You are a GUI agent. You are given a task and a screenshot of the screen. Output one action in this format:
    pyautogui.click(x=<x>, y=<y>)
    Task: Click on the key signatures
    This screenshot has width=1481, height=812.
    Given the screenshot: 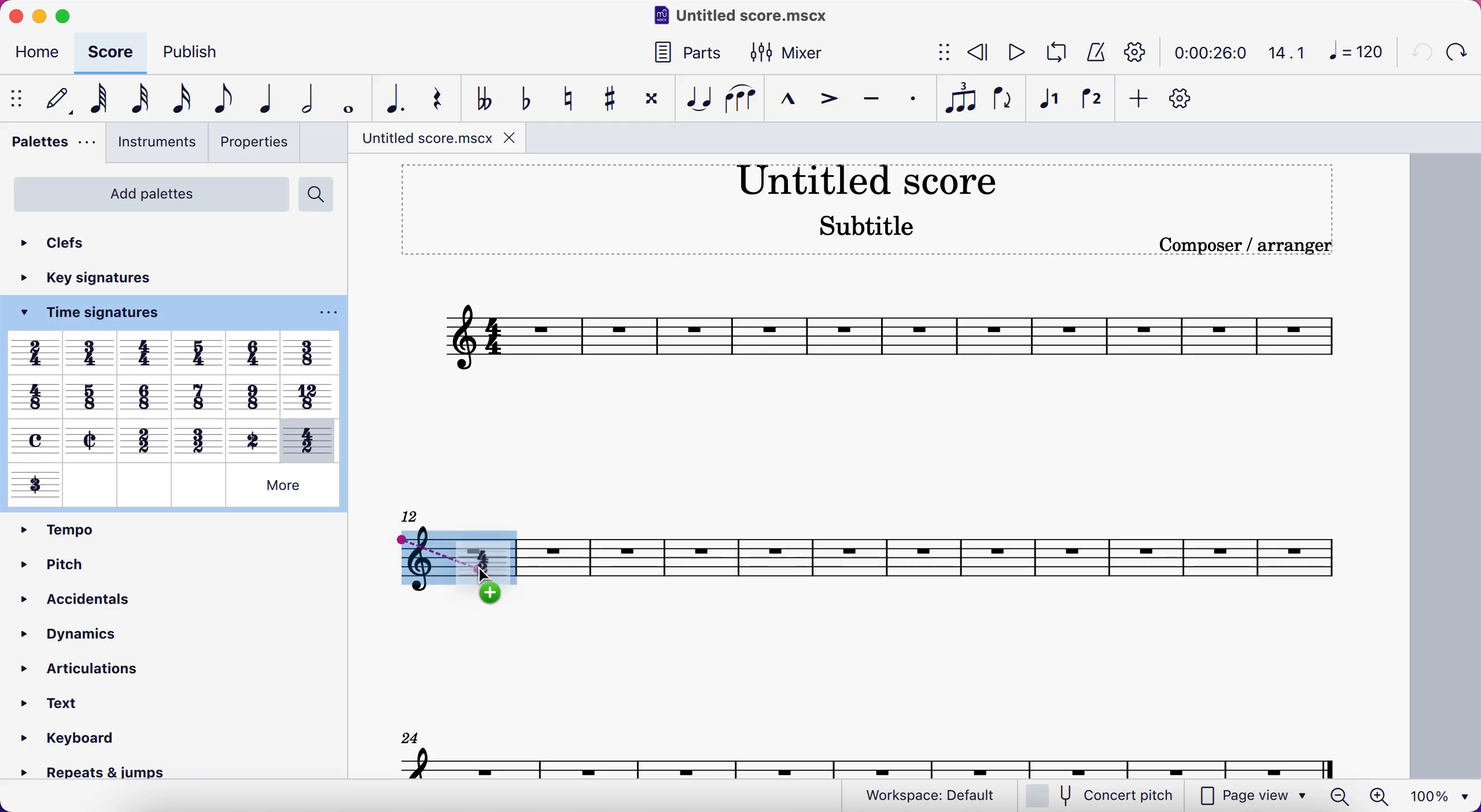 What is the action you would take?
    pyautogui.click(x=108, y=280)
    